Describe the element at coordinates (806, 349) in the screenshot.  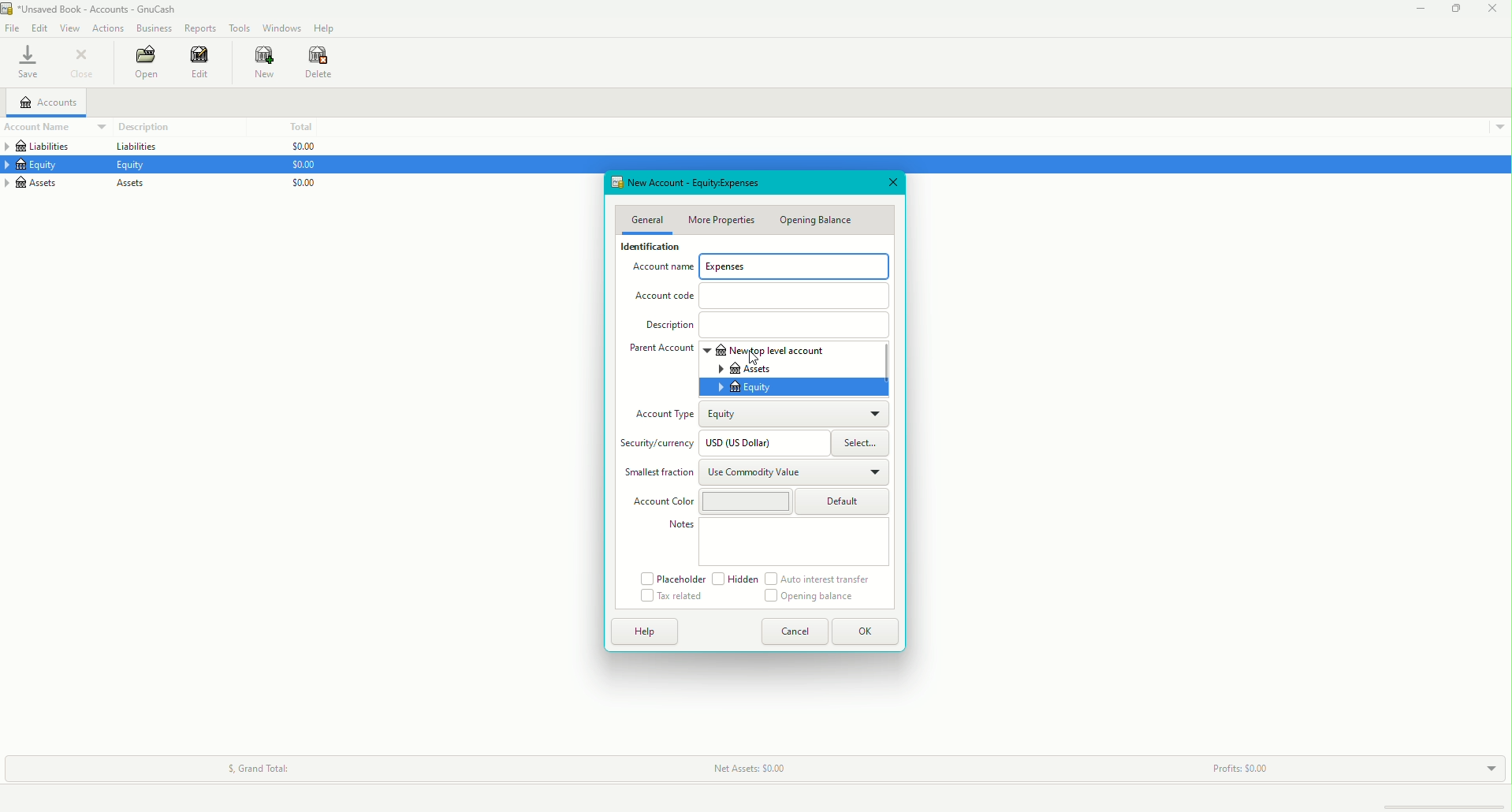
I see `New top level account` at that location.